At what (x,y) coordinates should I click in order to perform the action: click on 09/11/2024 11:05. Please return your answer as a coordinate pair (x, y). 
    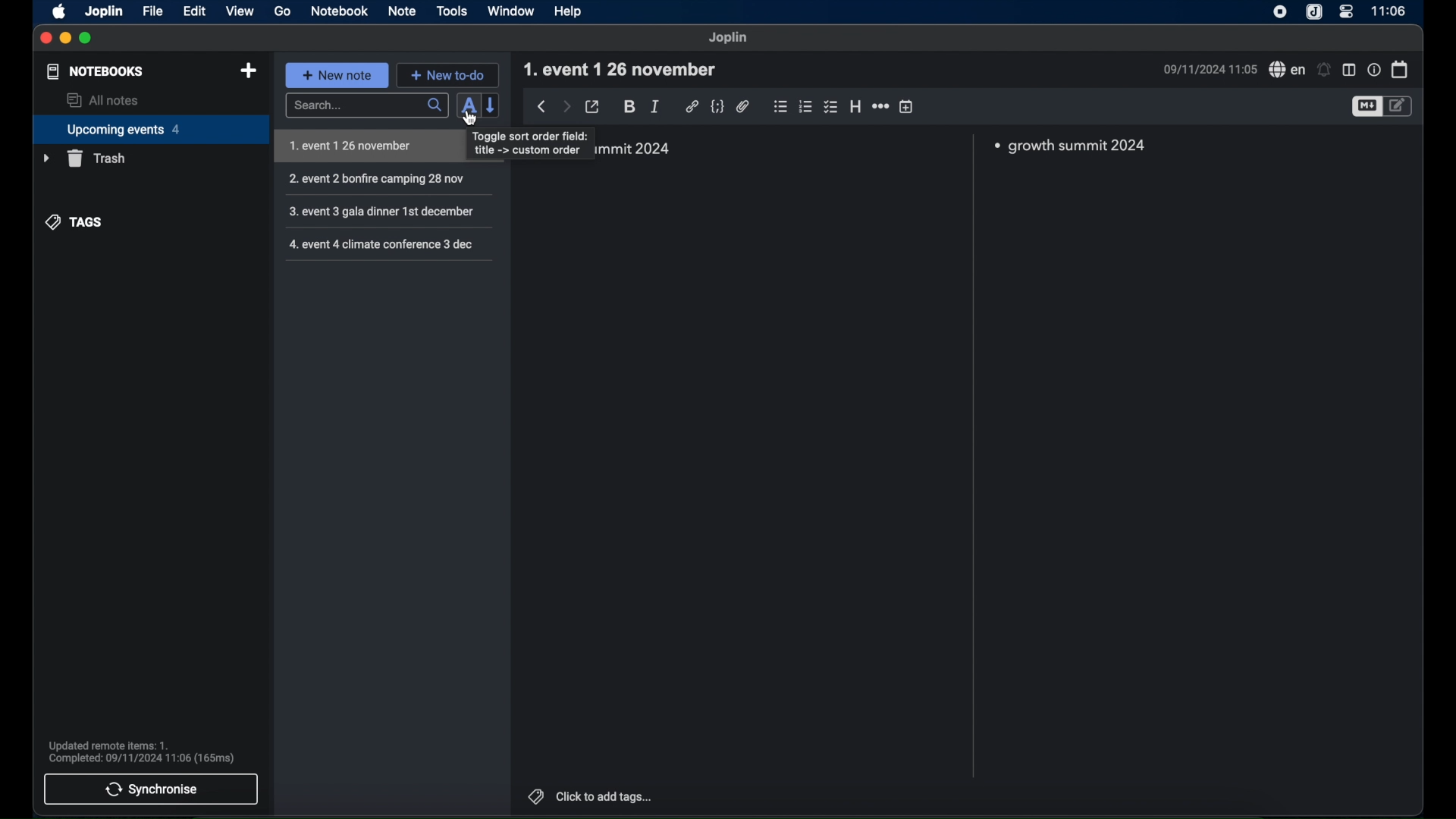
    Looking at the image, I should click on (1207, 72).